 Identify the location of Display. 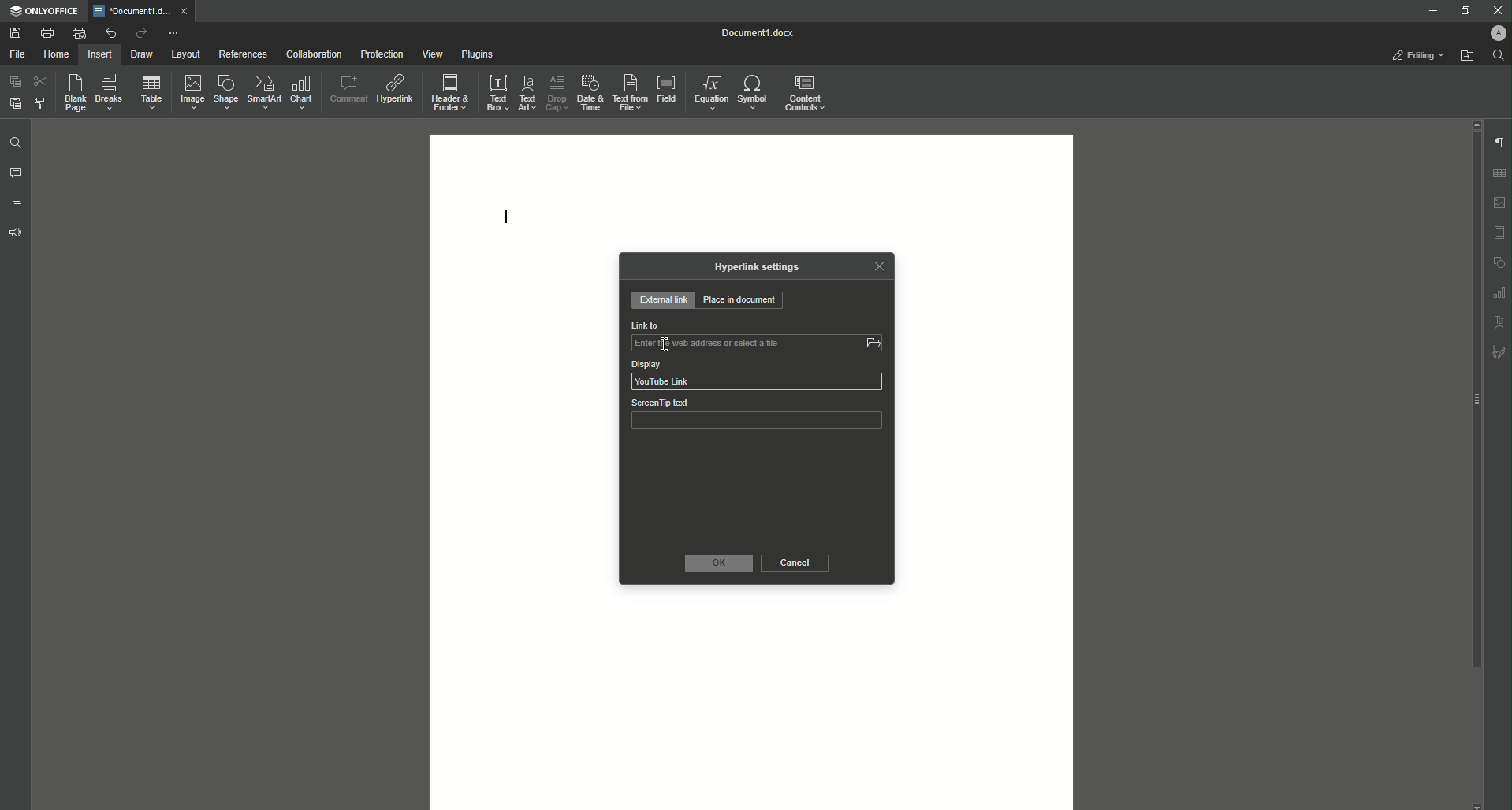
(646, 364).